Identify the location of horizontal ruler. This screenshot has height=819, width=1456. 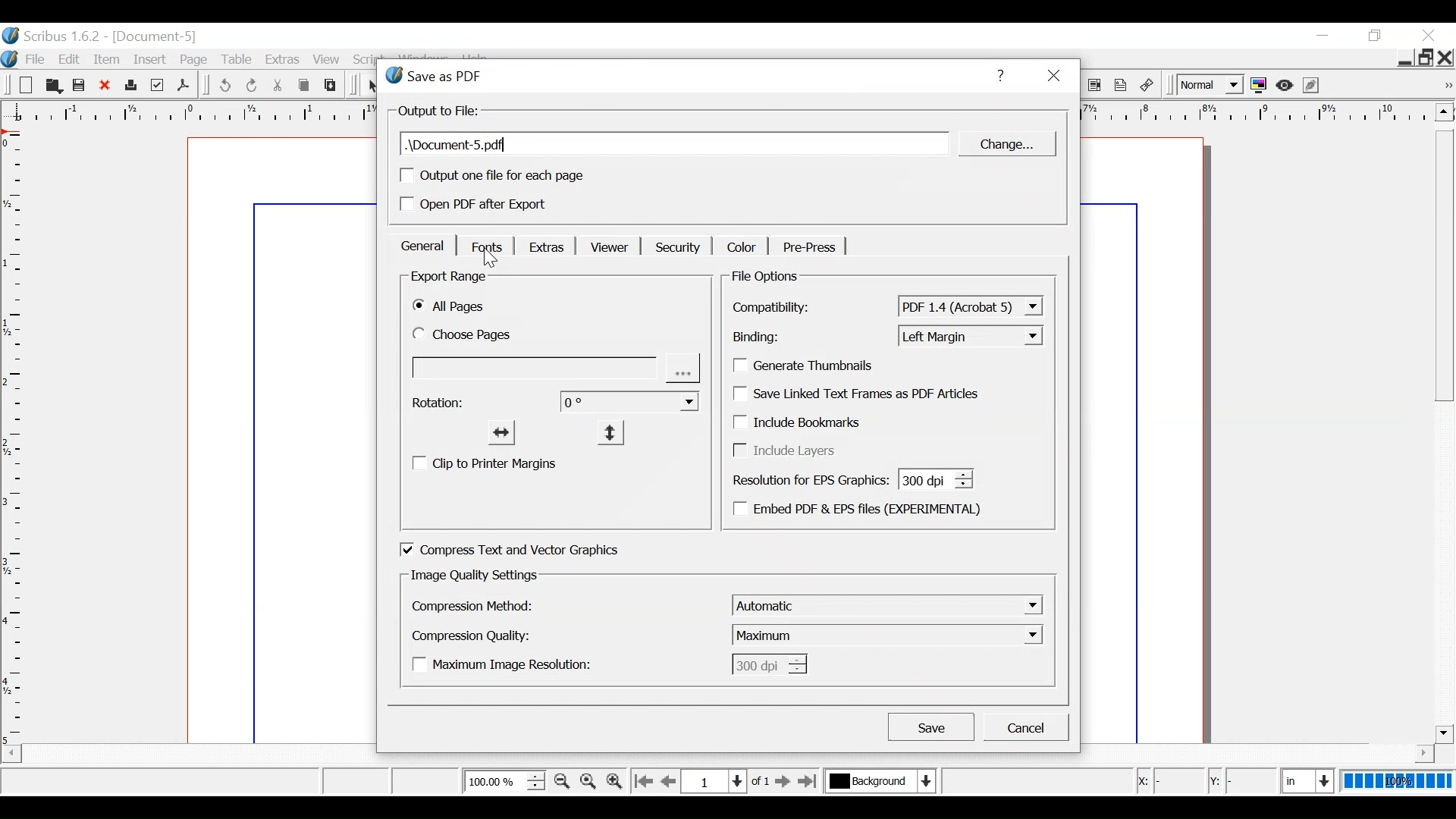
(1257, 114).